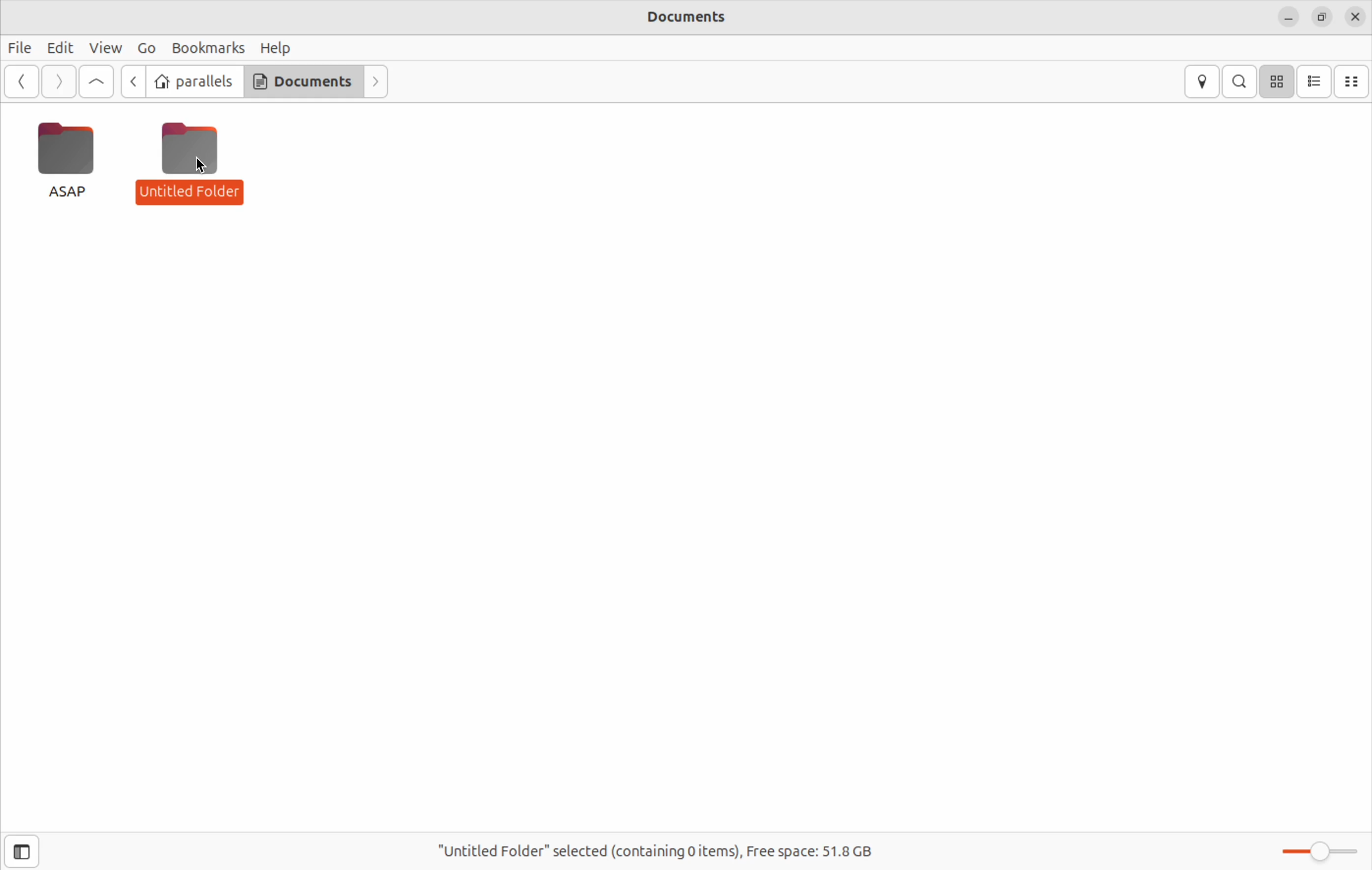  I want to click on close, so click(1355, 15).